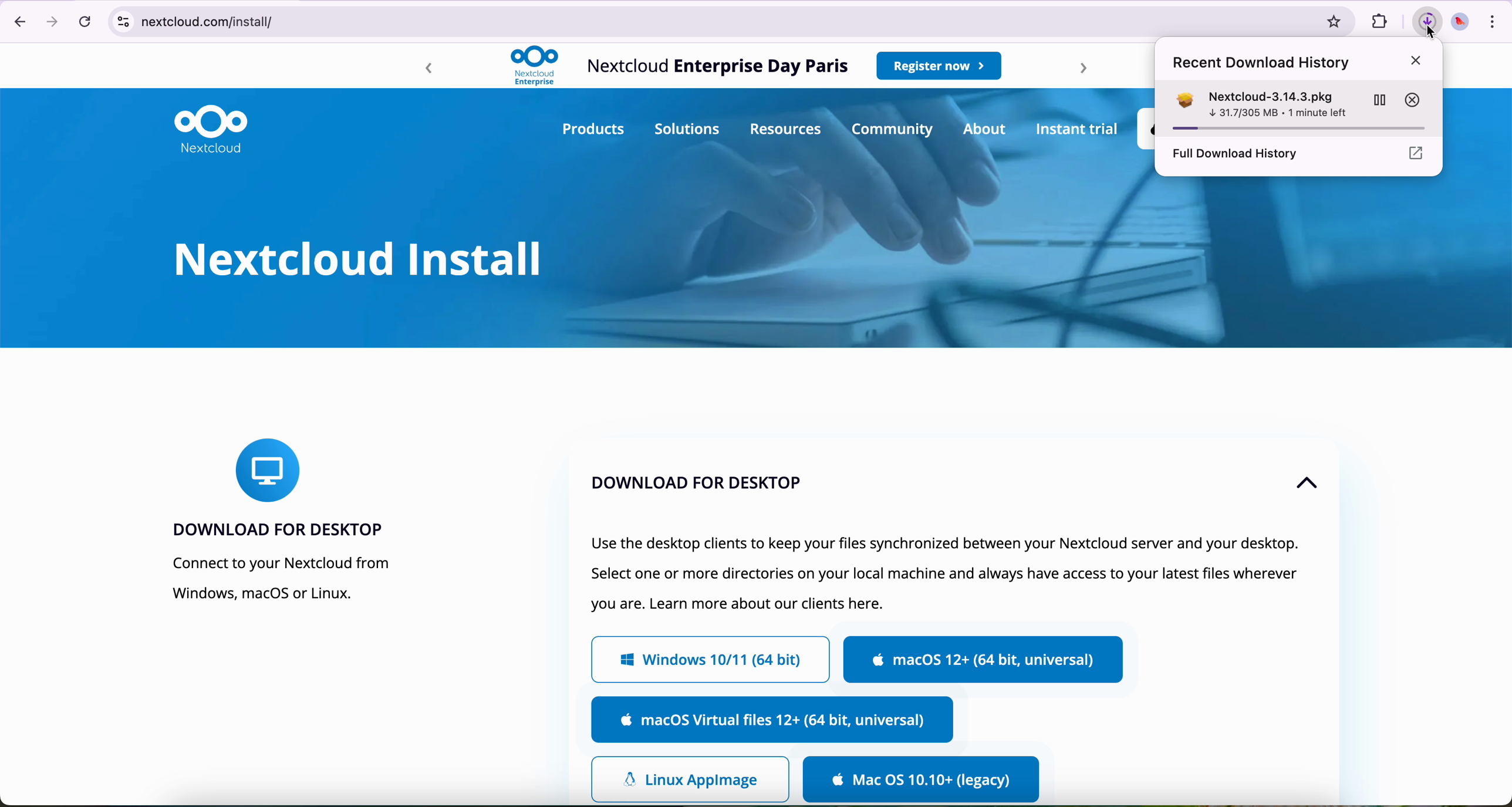 This screenshot has width=1512, height=807. Describe the element at coordinates (426, 70) in the screenshot. I see `backward` at that location.